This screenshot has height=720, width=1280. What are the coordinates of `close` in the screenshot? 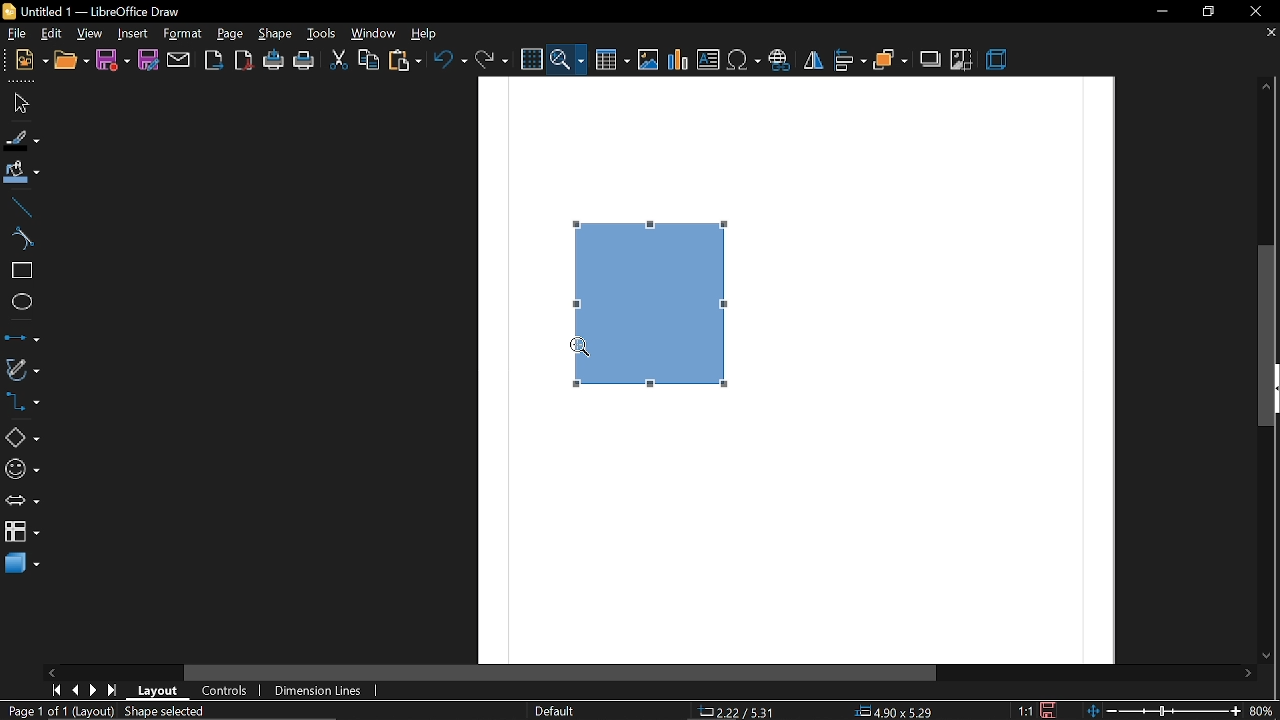 It's located at (1253, 10).